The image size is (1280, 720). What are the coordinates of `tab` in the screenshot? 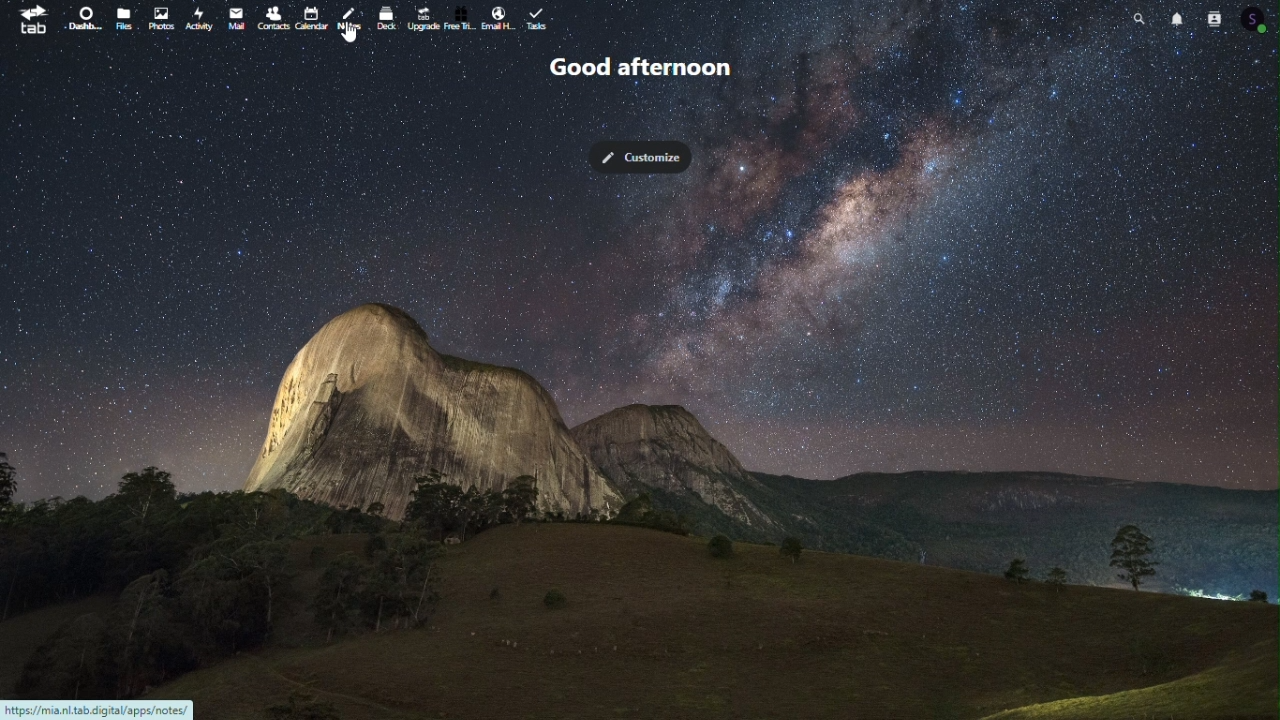 It's located at (25, 21).